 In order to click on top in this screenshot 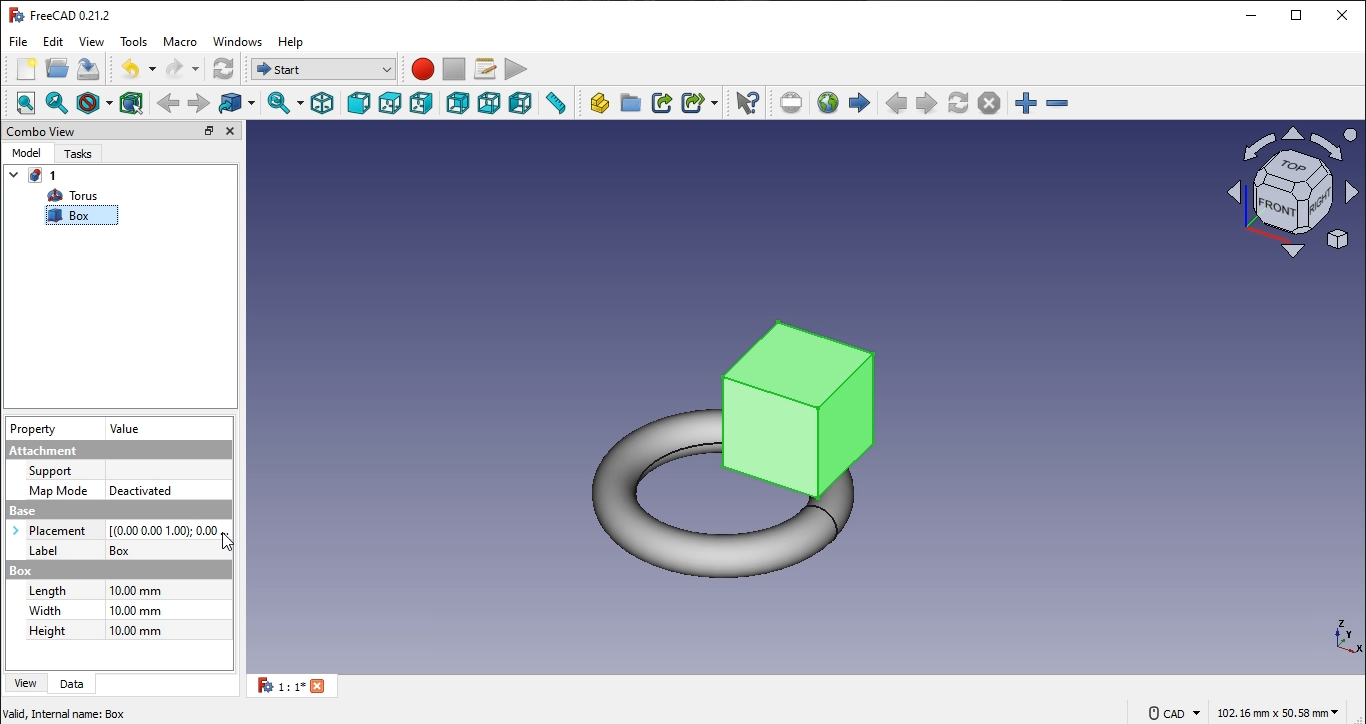, I will do `click(391, 104)`.